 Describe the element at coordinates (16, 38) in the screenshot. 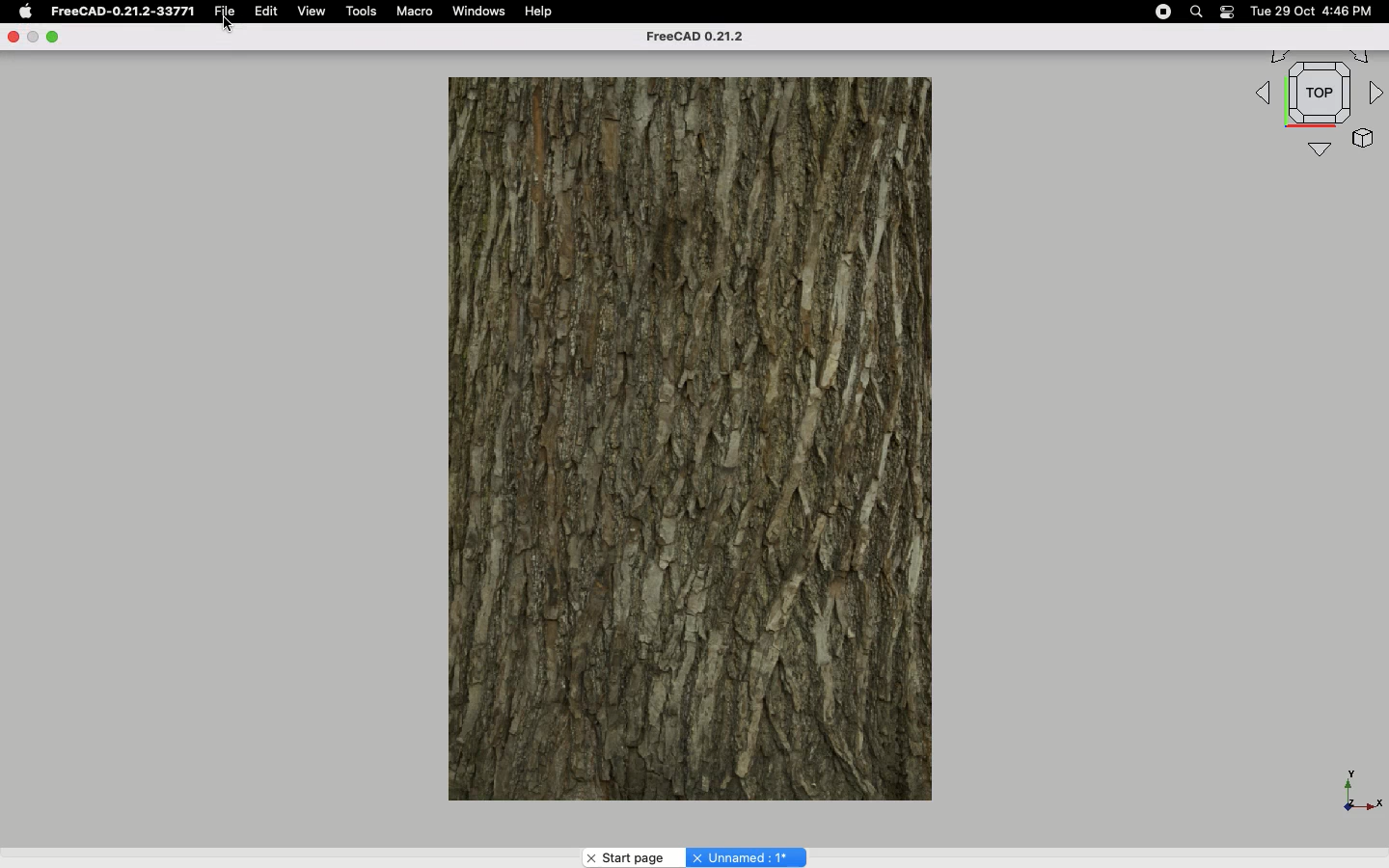

I see `Close` at that location.